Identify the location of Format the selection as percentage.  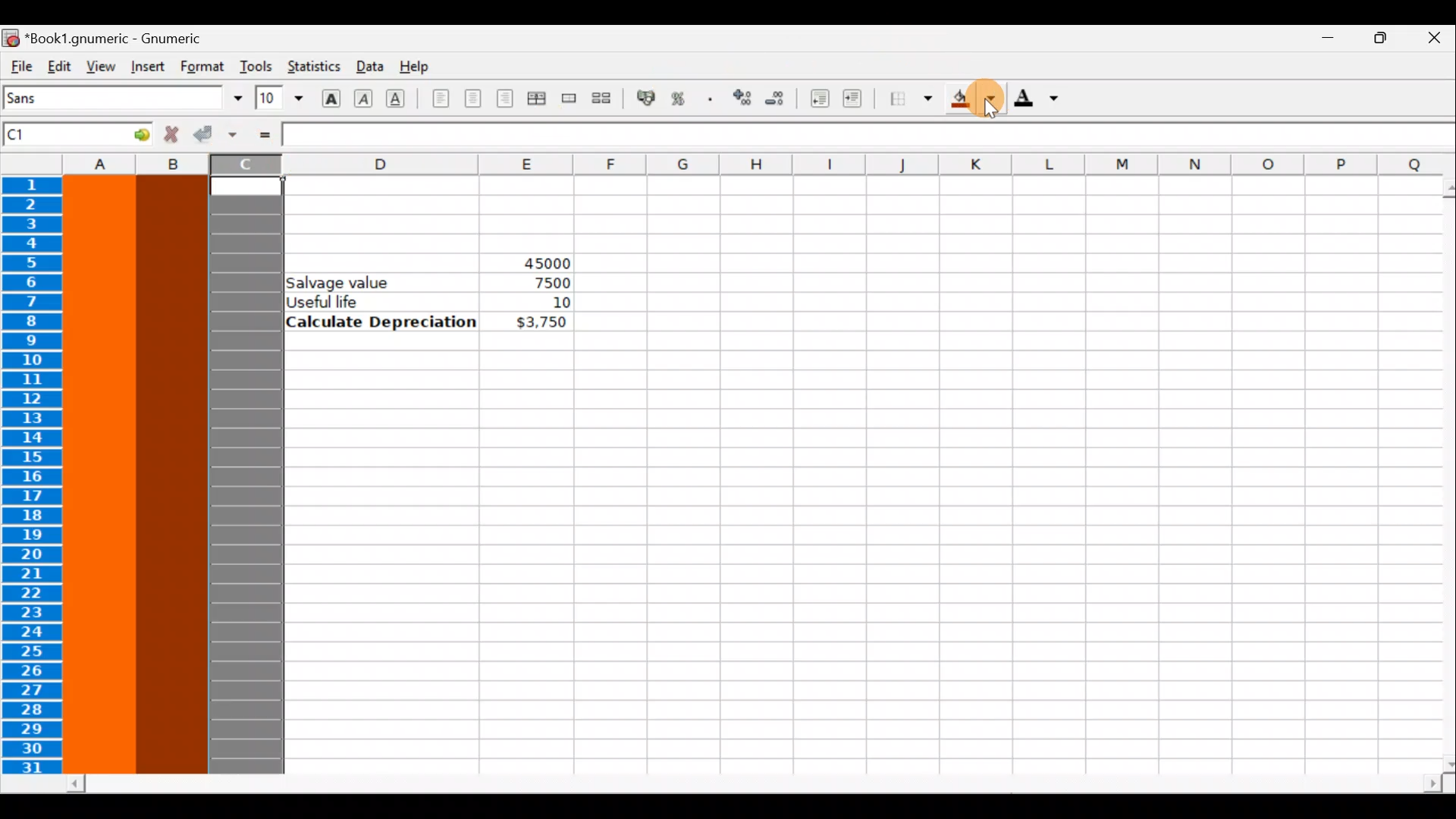
(681, 101).